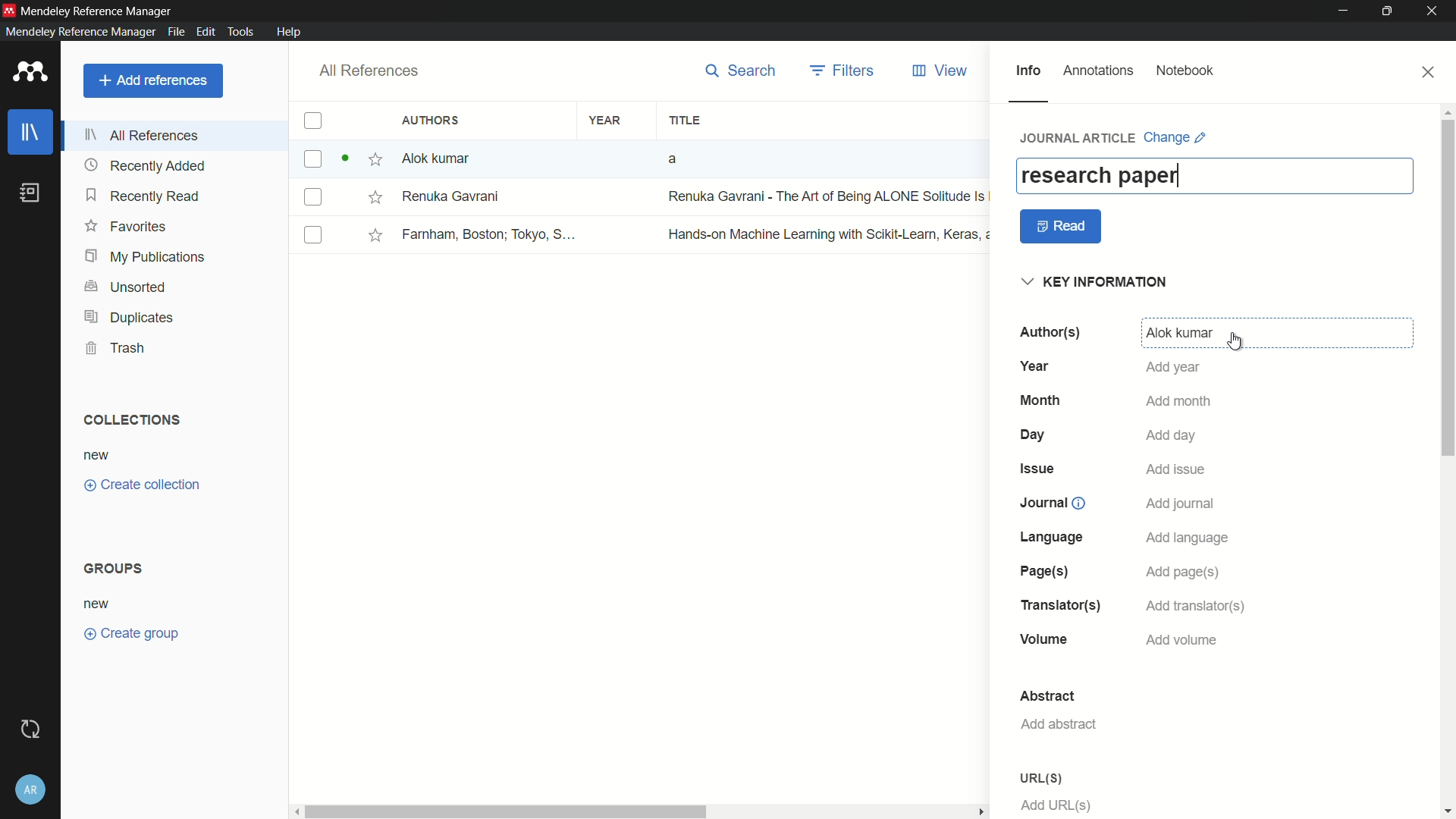 Image resolution: width=1456 pixels, height=819 pixels. Describe the element at coordinates (1049, 332) in the screenshot. I see `authors` at that location.